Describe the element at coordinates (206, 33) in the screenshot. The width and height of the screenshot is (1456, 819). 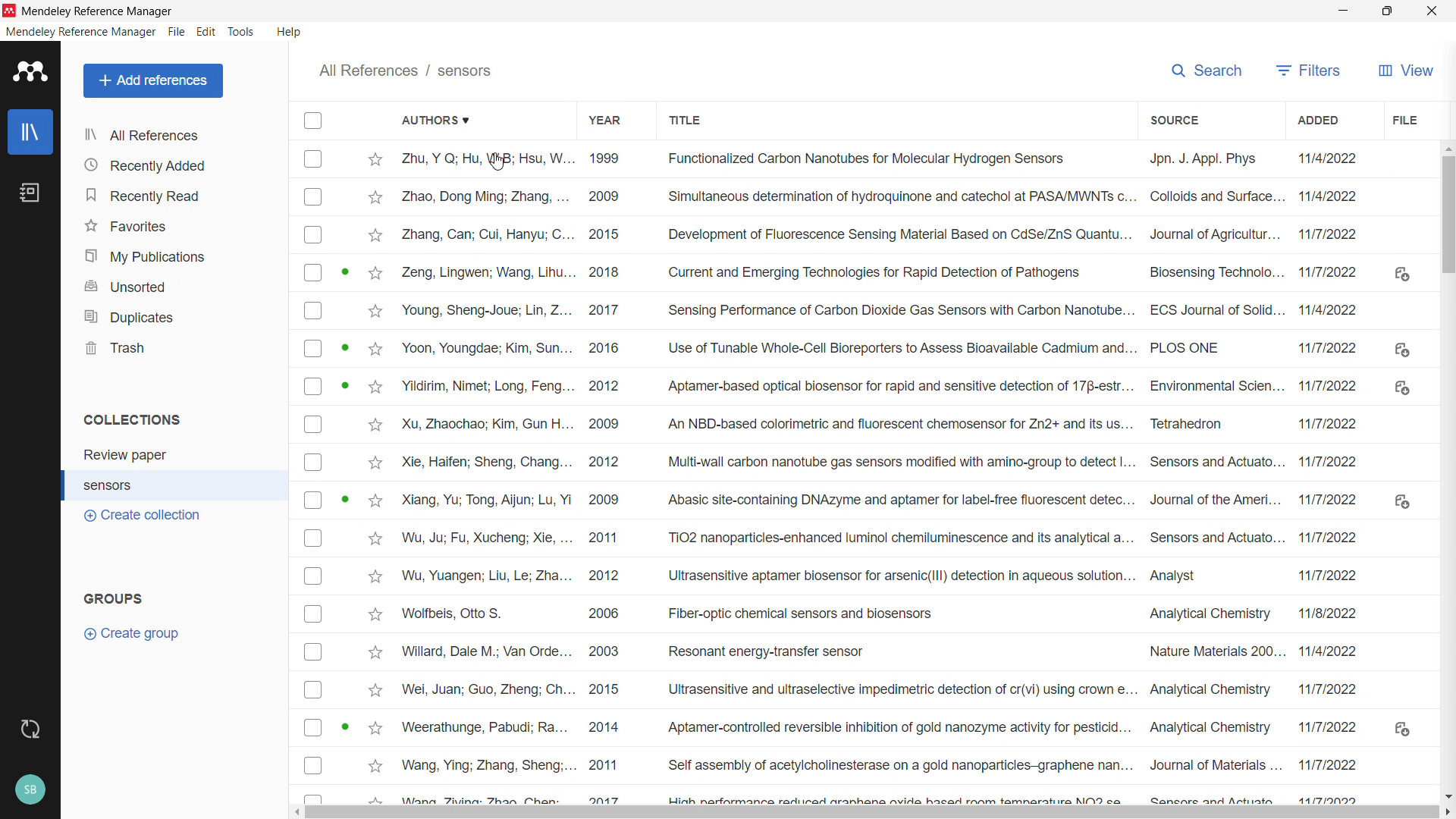
I see `Edit ` at that location.